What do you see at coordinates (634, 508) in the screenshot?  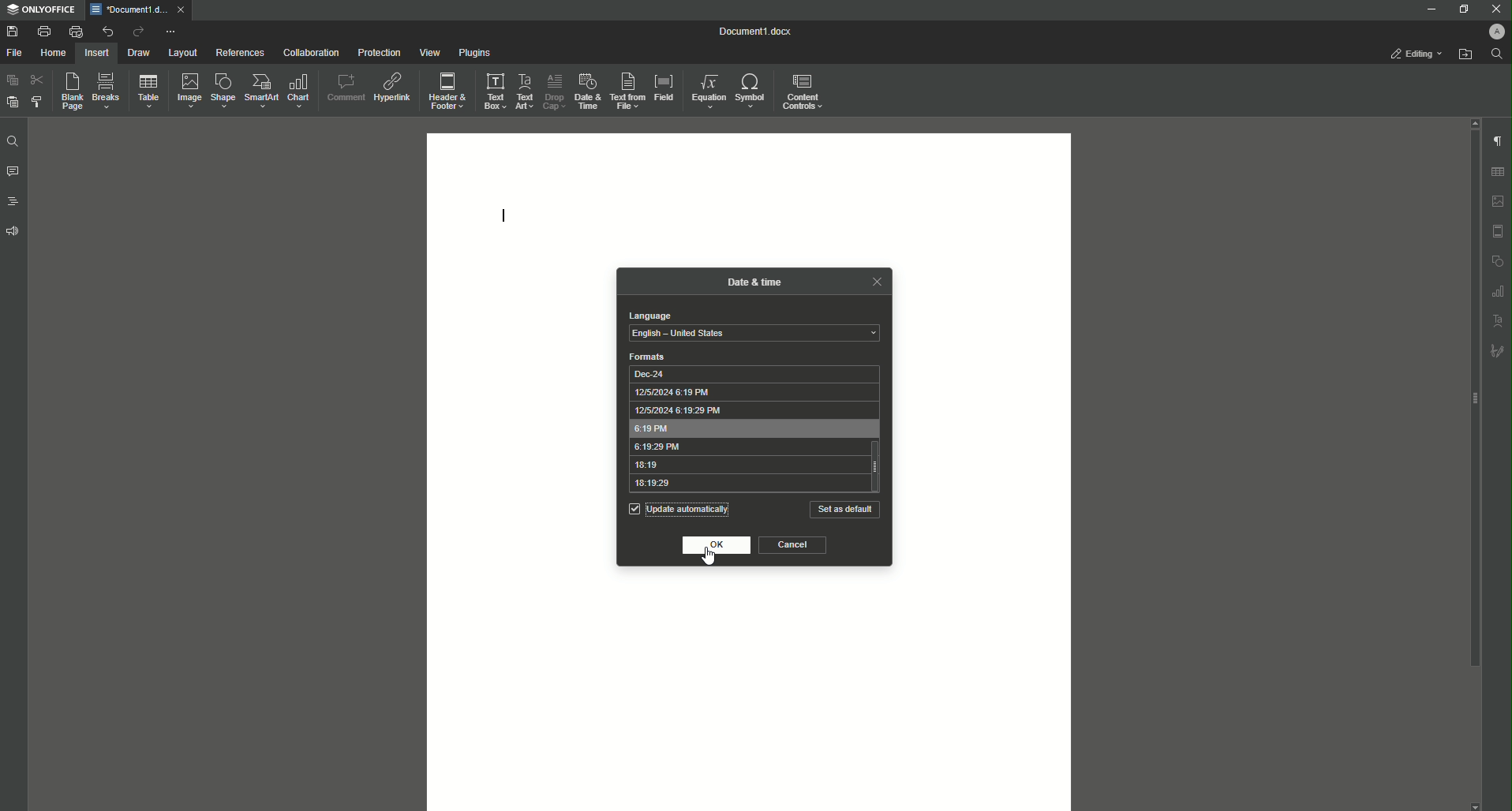 I see `Tick` at bounding box center [634, 508].